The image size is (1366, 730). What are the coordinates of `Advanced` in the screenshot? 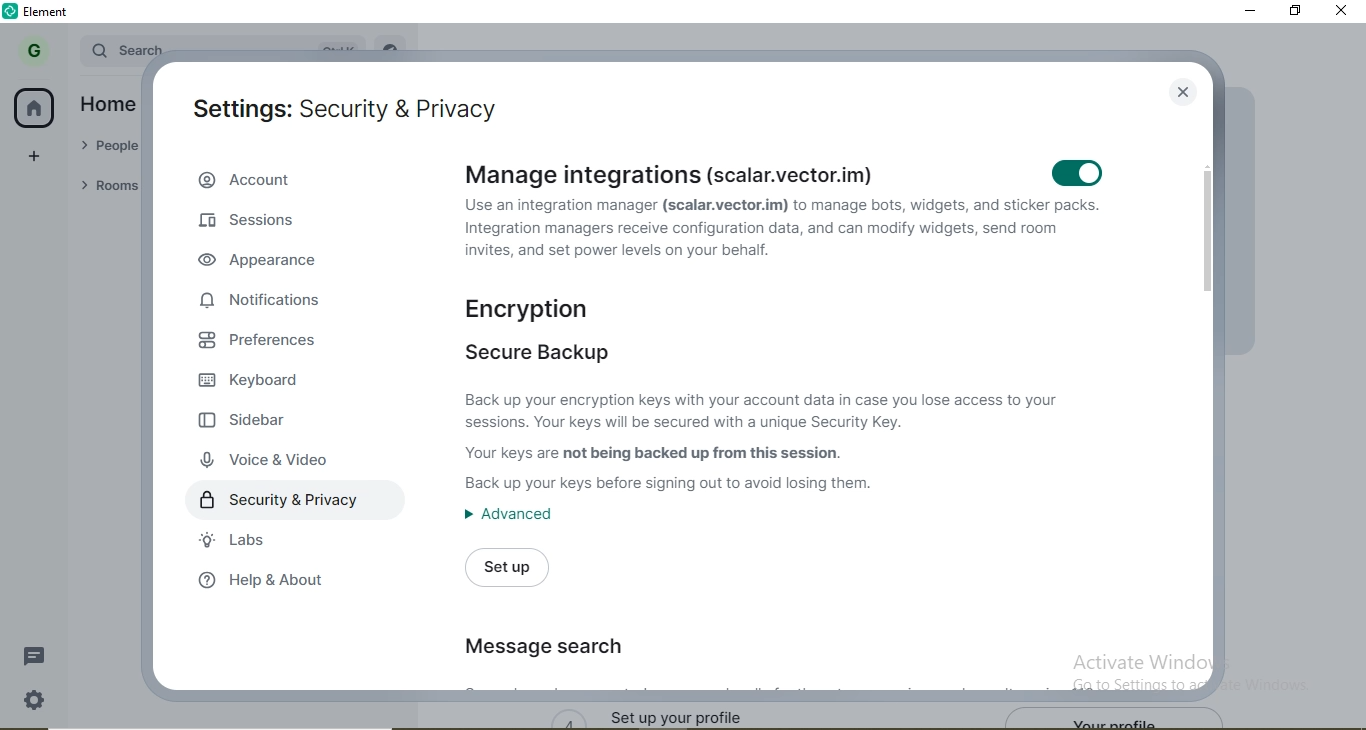 It's located at (507, 520).